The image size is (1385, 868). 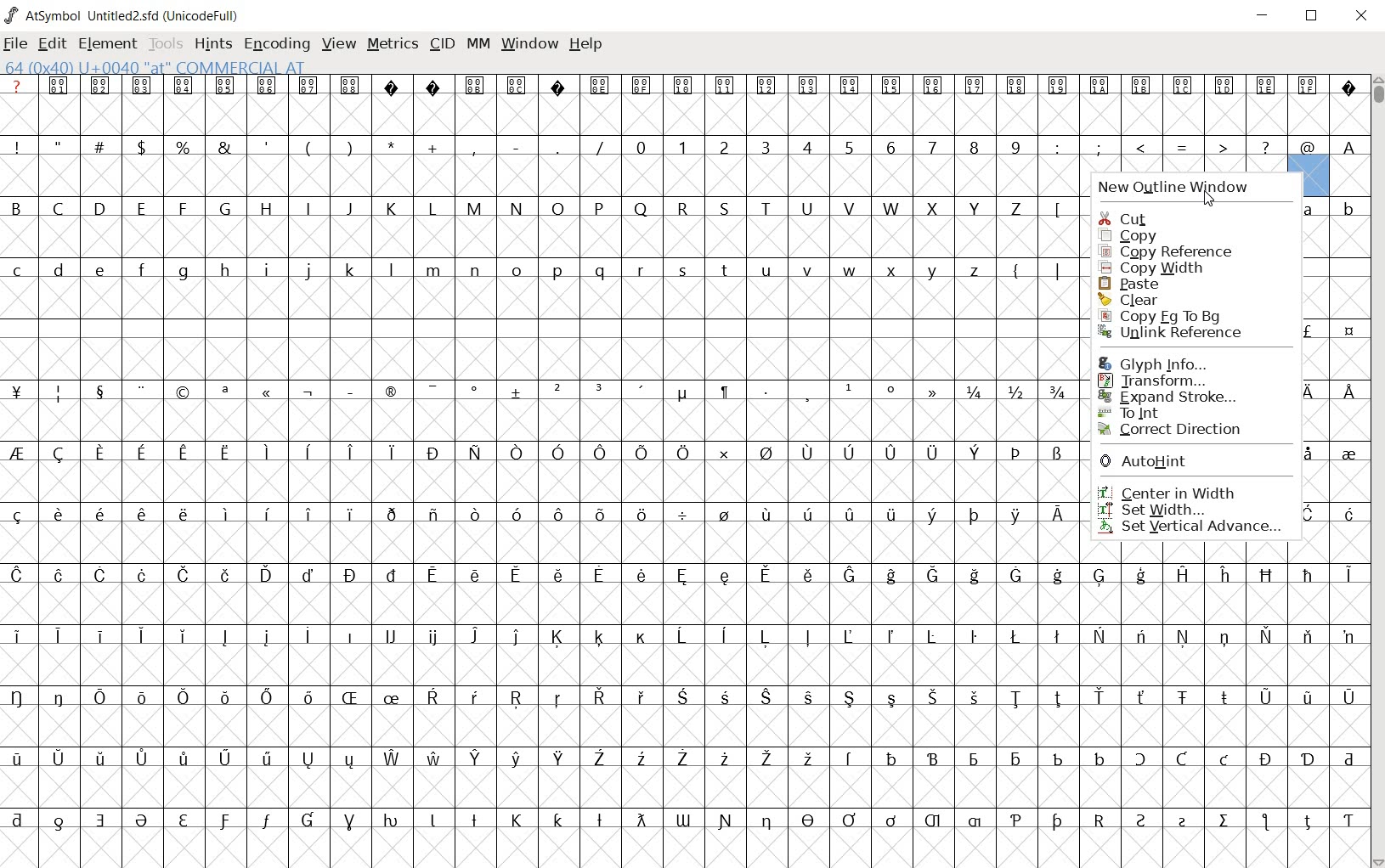 I want to click on VIEW, so click(x=339, y=47).